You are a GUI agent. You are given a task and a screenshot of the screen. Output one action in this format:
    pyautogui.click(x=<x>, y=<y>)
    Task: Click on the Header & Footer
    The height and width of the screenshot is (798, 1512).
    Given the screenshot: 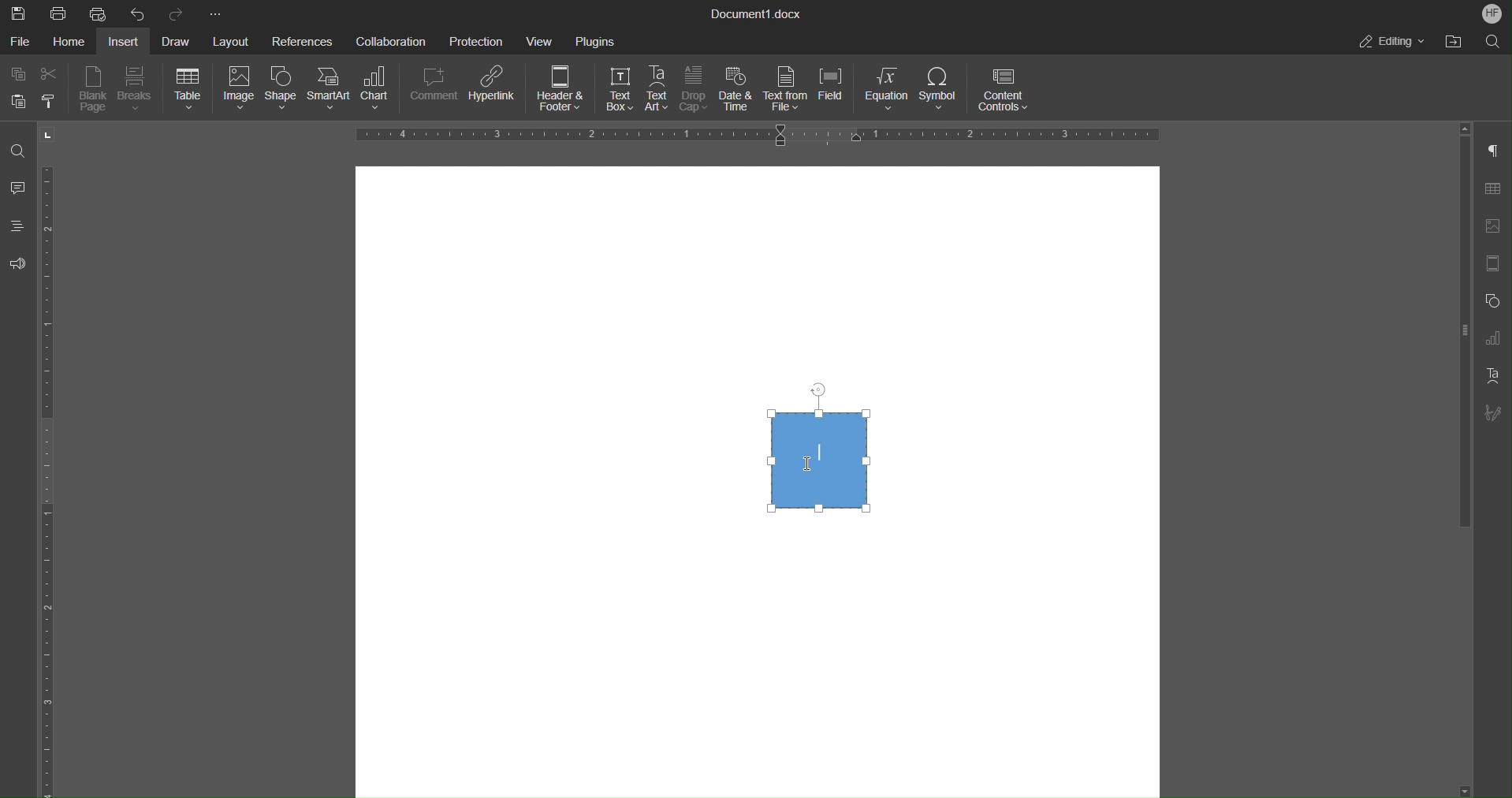 What is the action you would take?
    pyautogui.click(x=562, y=91)
    